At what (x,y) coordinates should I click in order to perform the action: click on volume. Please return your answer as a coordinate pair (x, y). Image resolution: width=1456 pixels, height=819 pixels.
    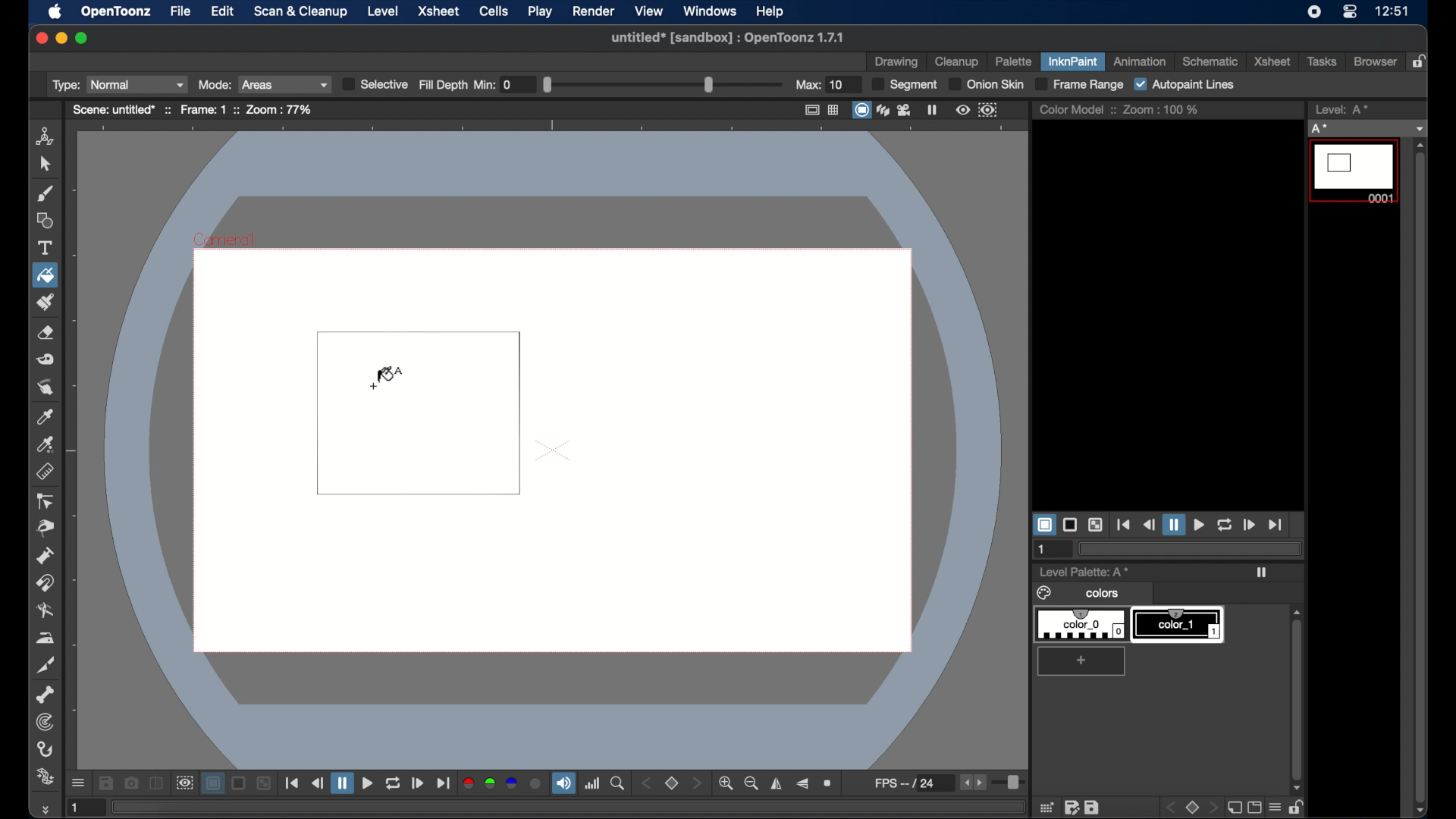
    Looking at the image, I should click on (563, 783).